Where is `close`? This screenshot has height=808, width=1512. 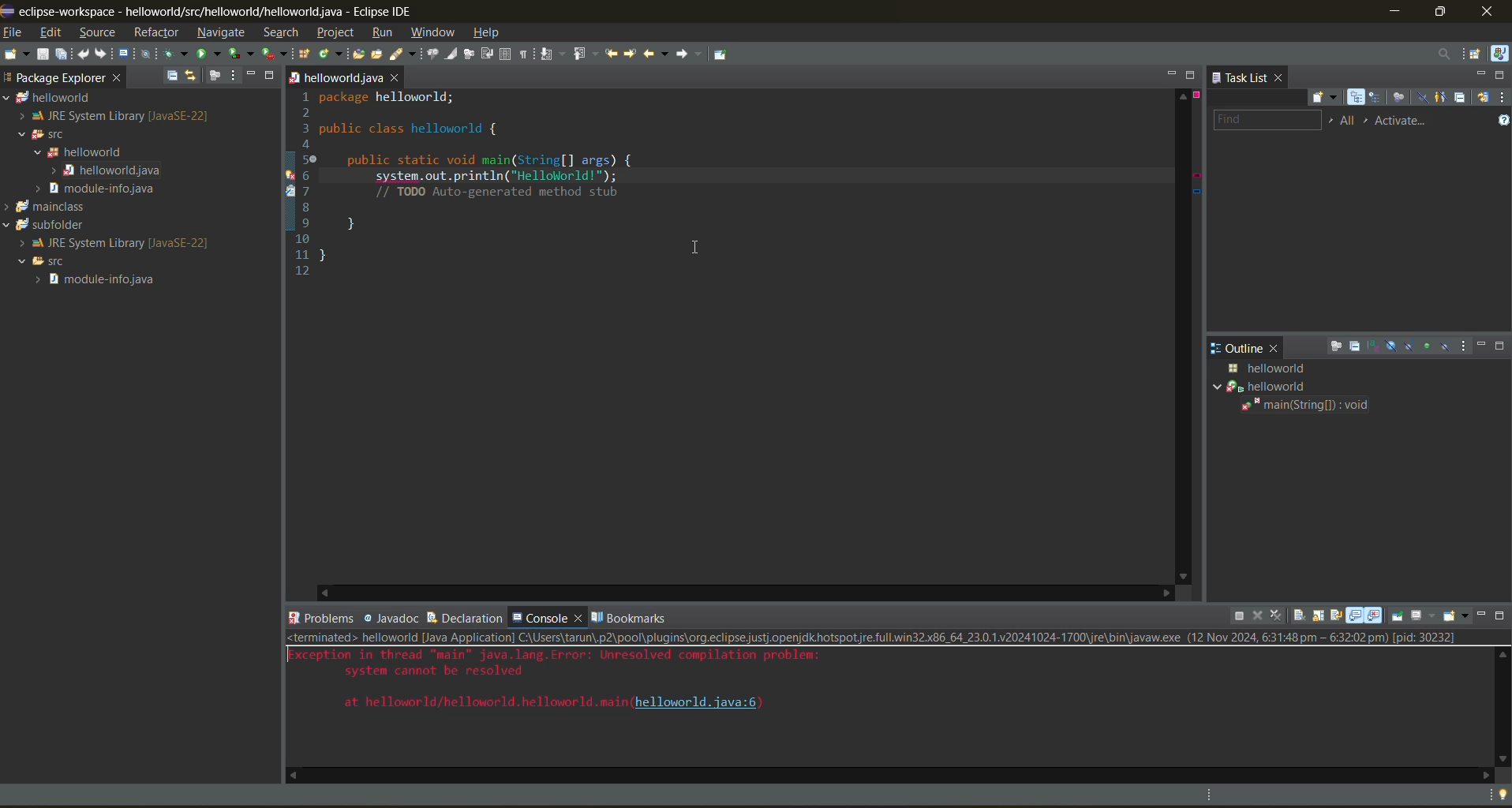
close is located at coordinates (1494, 11).